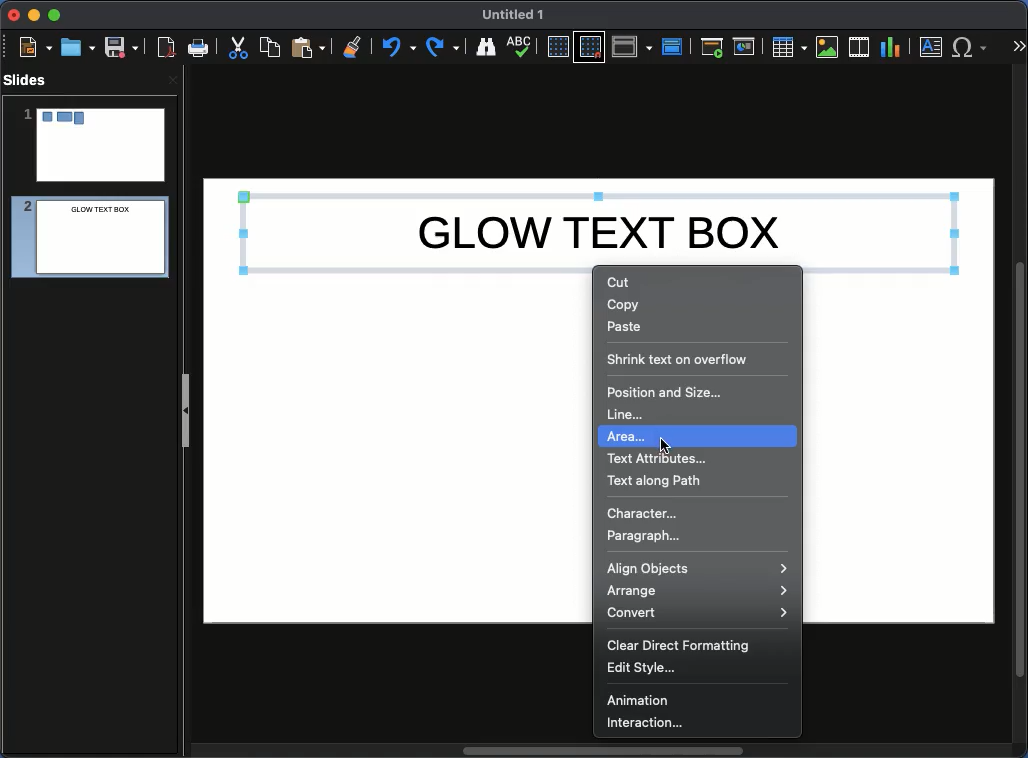 The image size is (1028, 758). I want to click on Arrange, so click(697, 591).